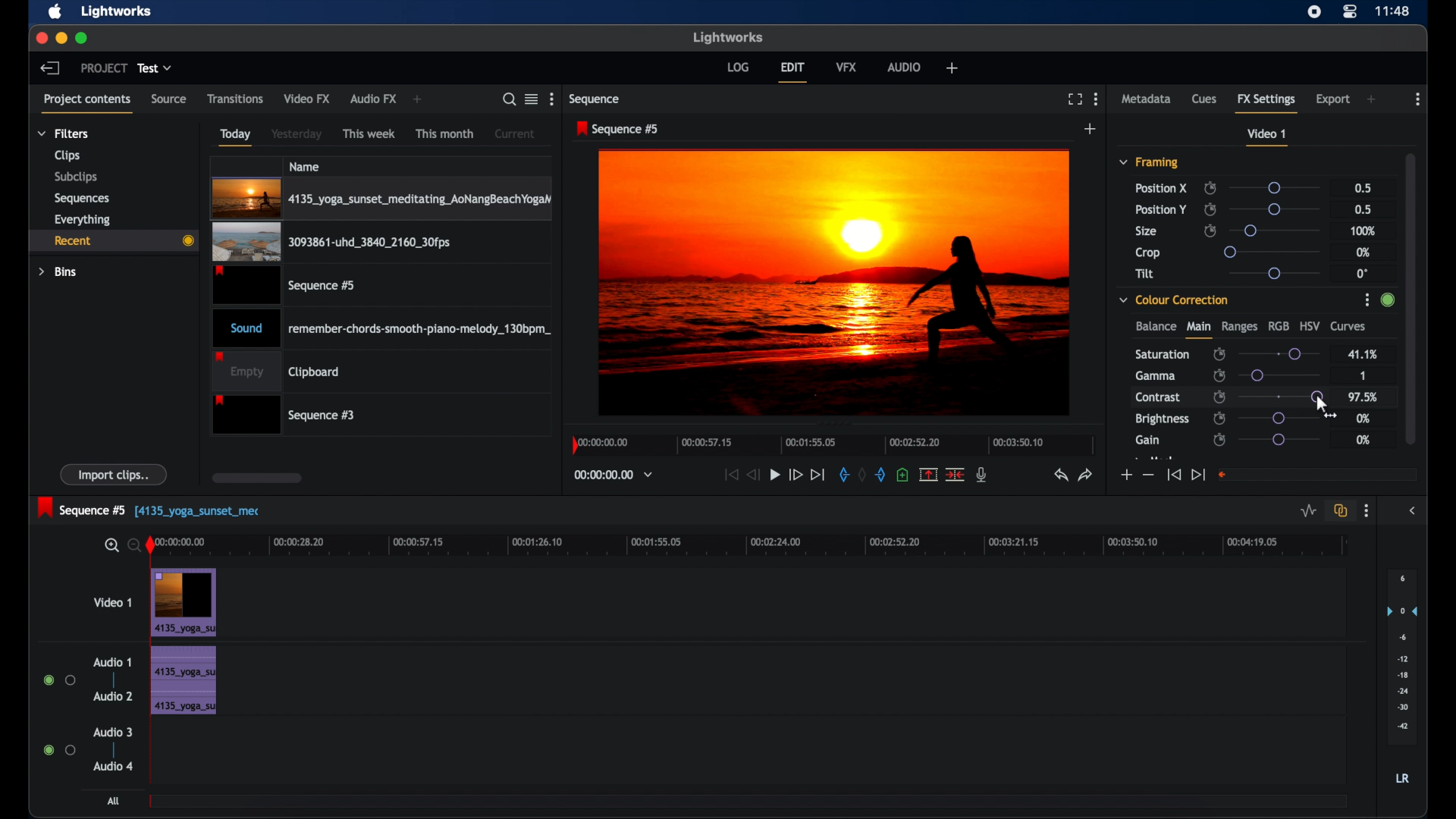 The height and width of the screenshot is (819, 1456). What do you see at coordinates (1173, 475) in the screenshot?
I see `jump to start` at bounding box center [1173, 475].